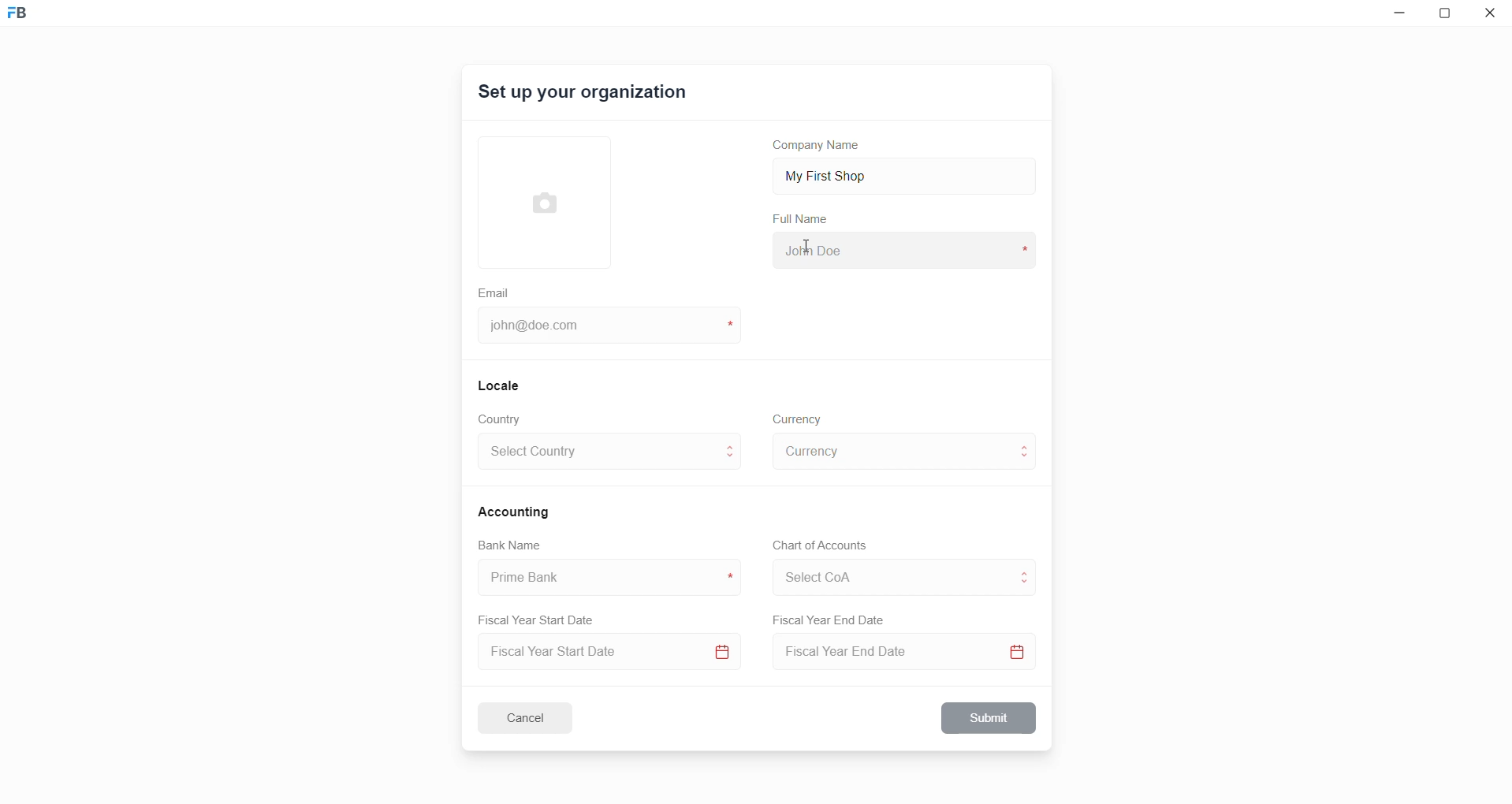  What do you see at coordinates (1028, 445) in the screenshot?
I see `move to above curreny` at bounding box center [1028, 445].